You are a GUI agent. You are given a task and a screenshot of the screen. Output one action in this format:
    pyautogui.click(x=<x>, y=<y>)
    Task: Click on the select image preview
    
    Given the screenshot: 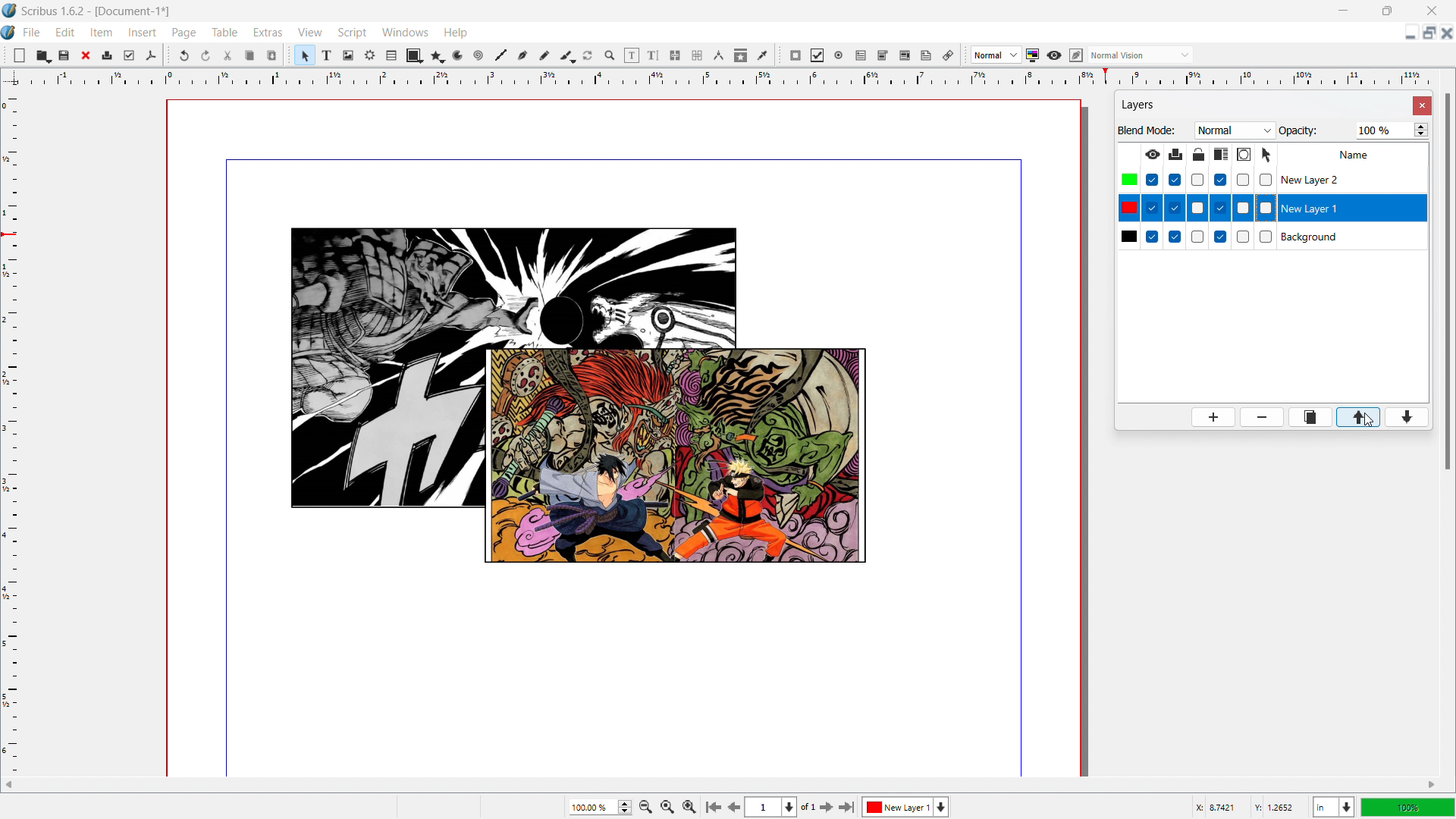 What is the action you would take?
    pyautogui.click(x=996, y=55)
    